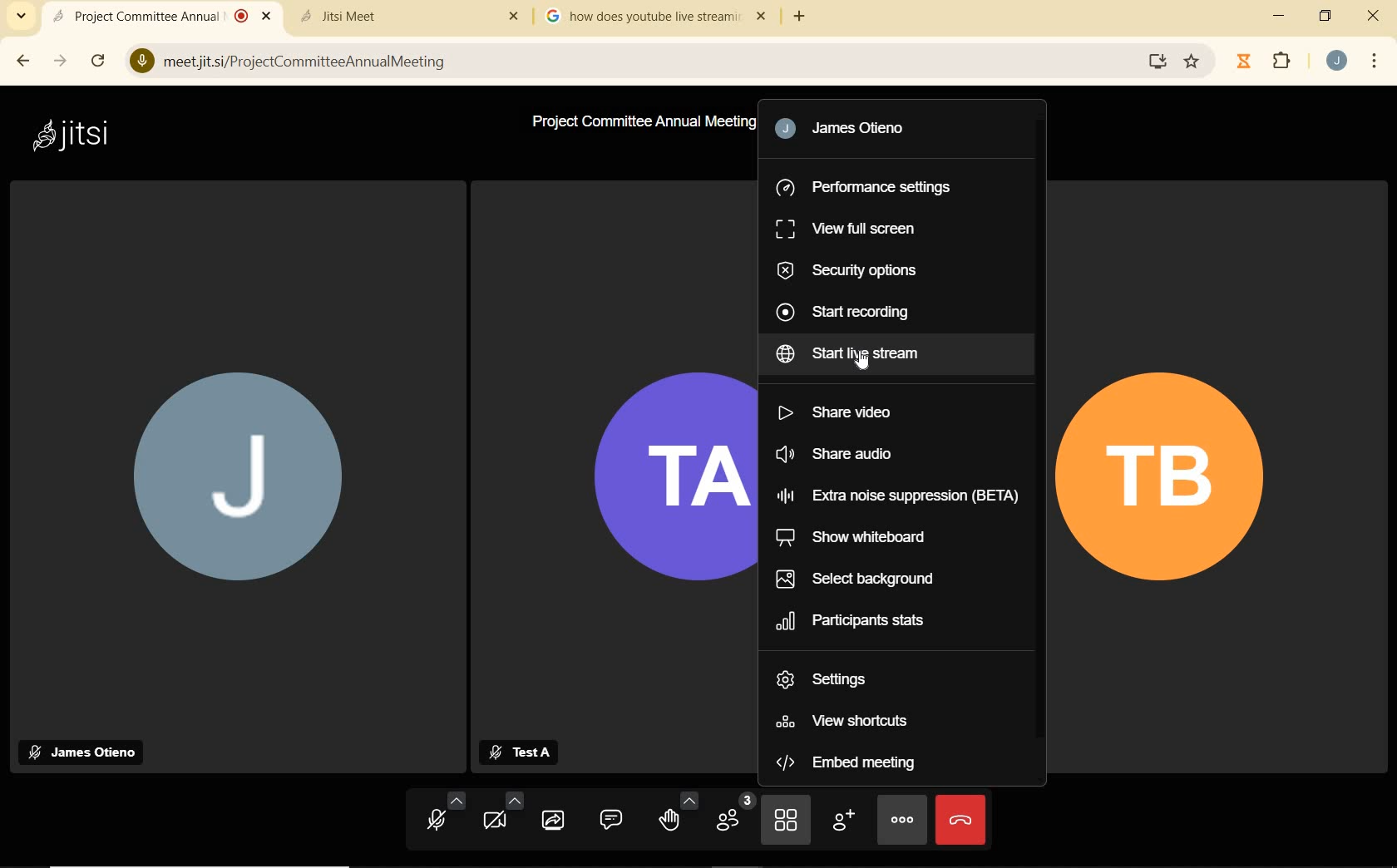 This screenshot has width=1397, height=868. I want to click on back, so click(24, 60).